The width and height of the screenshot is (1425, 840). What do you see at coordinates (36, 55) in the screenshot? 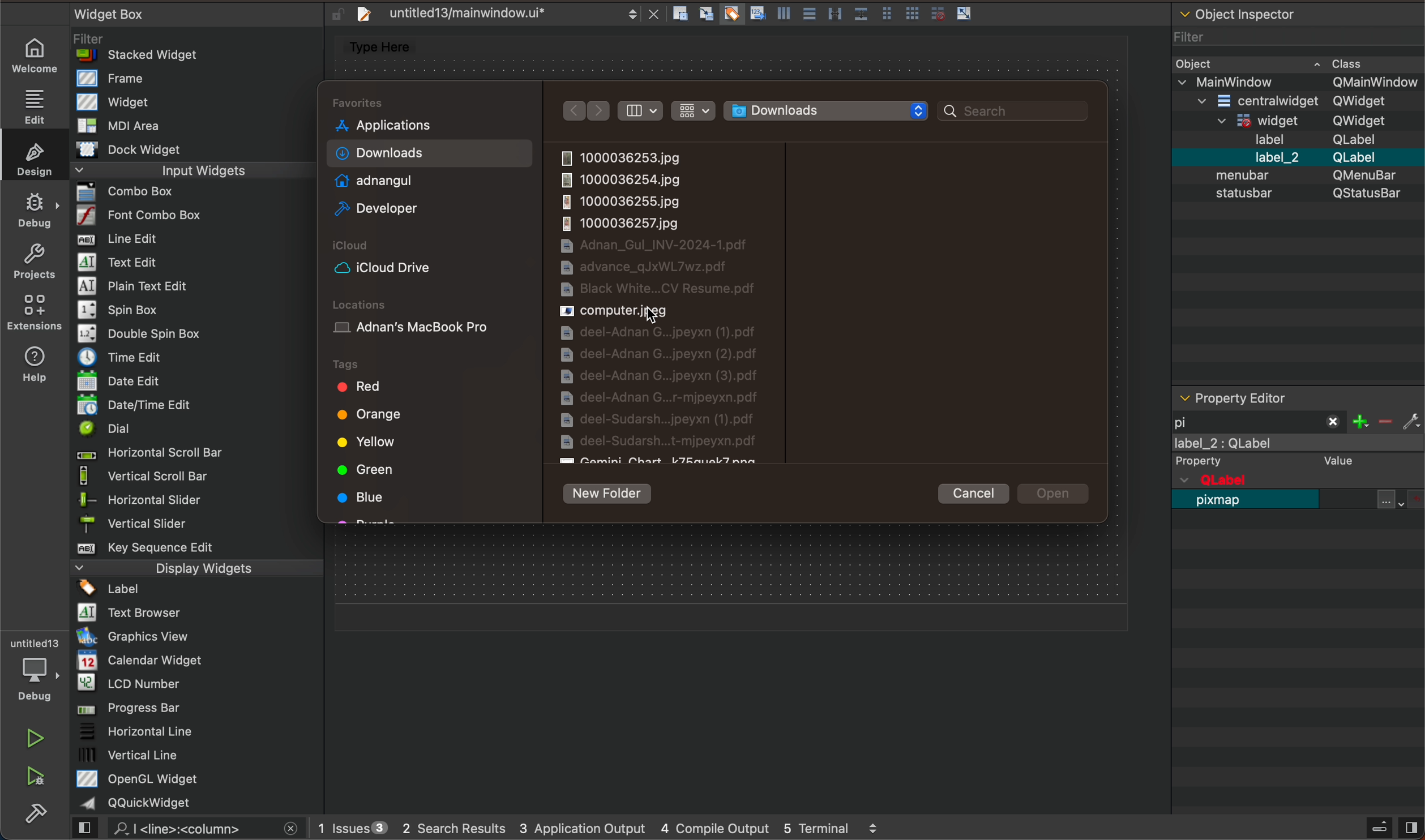
I see `welcome` at bounding box center [36, 55].